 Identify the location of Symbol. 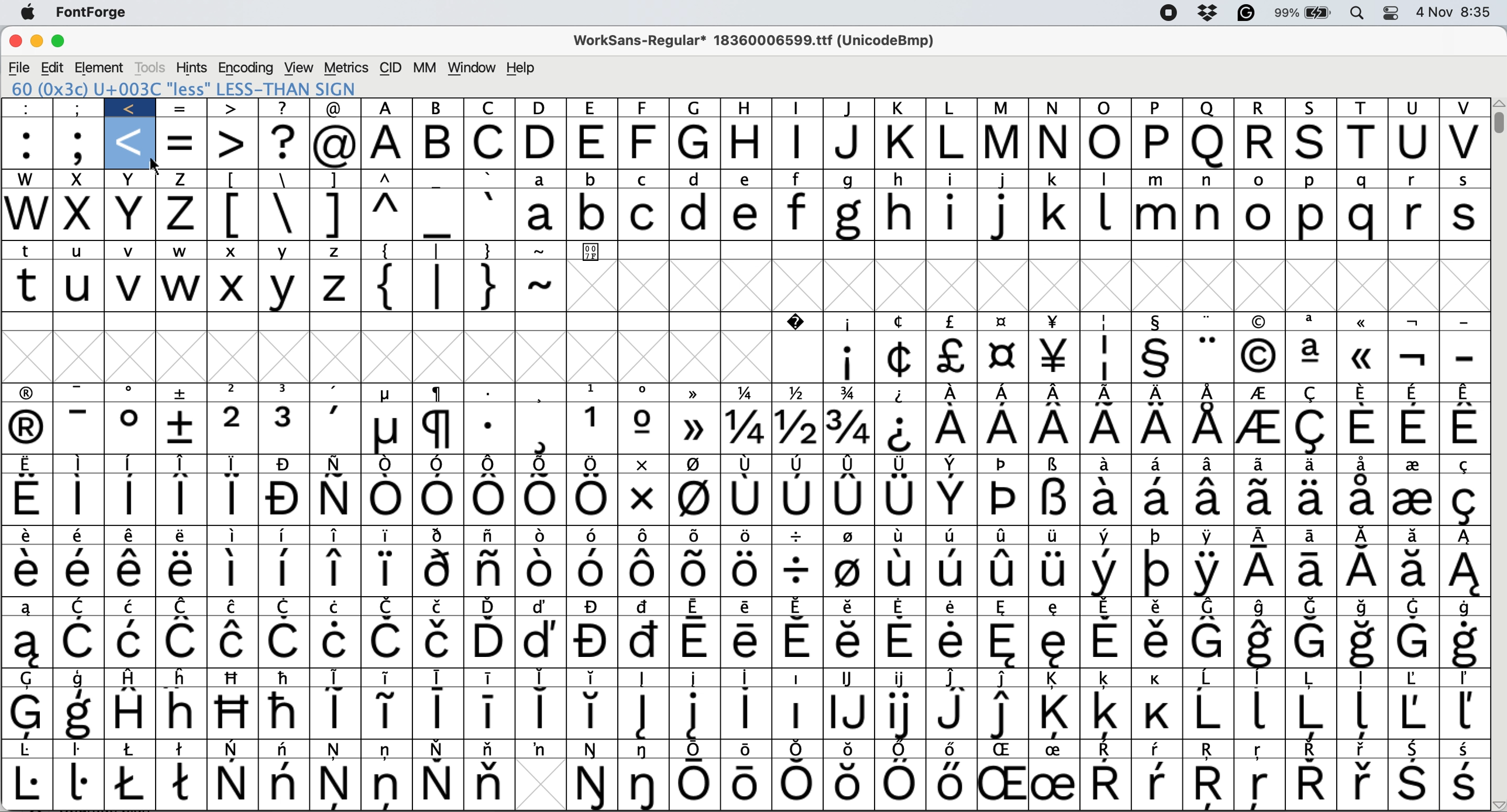
(592, 608).